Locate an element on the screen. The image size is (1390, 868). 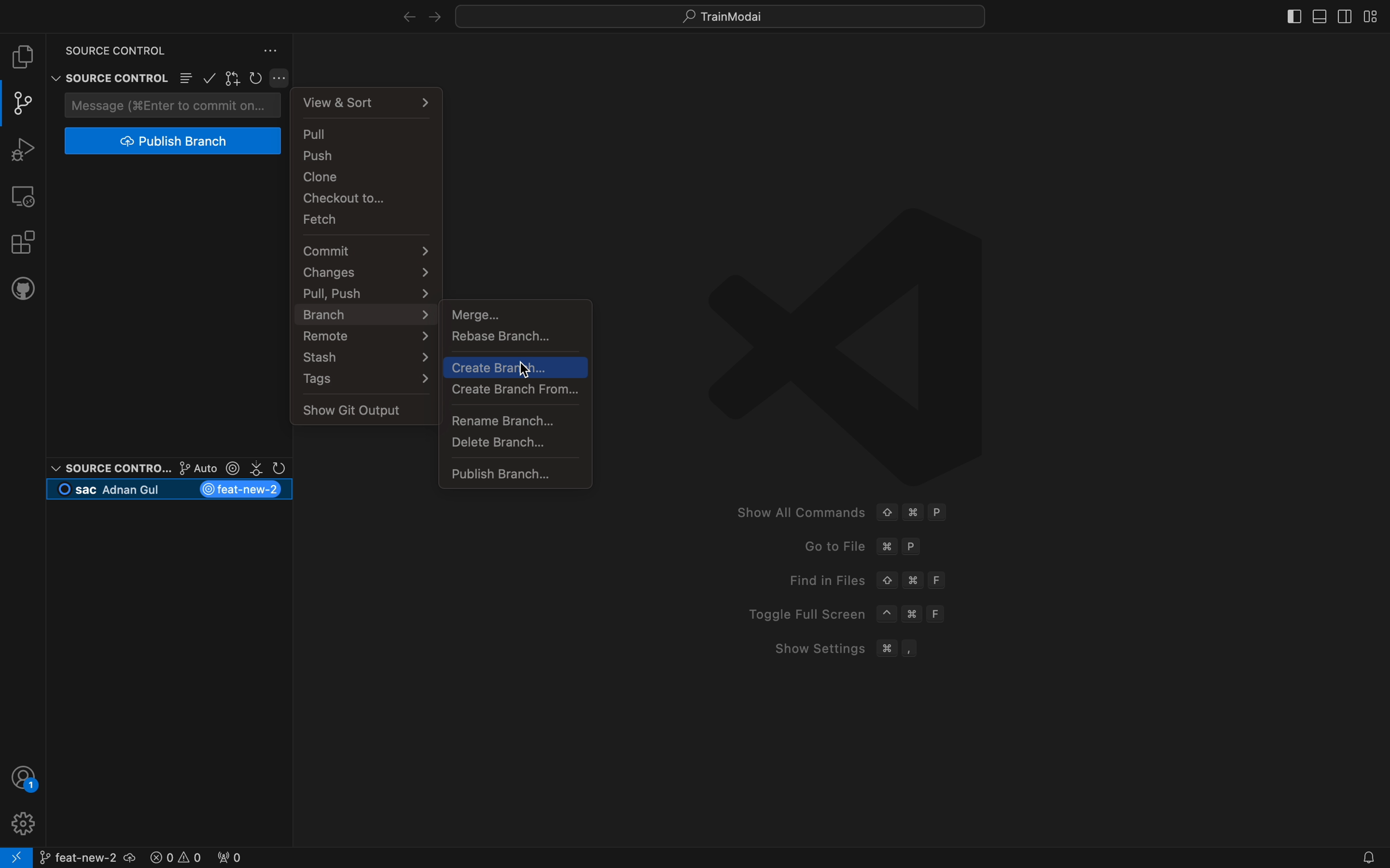
Notifications  is located at coordinates (1366, 858).